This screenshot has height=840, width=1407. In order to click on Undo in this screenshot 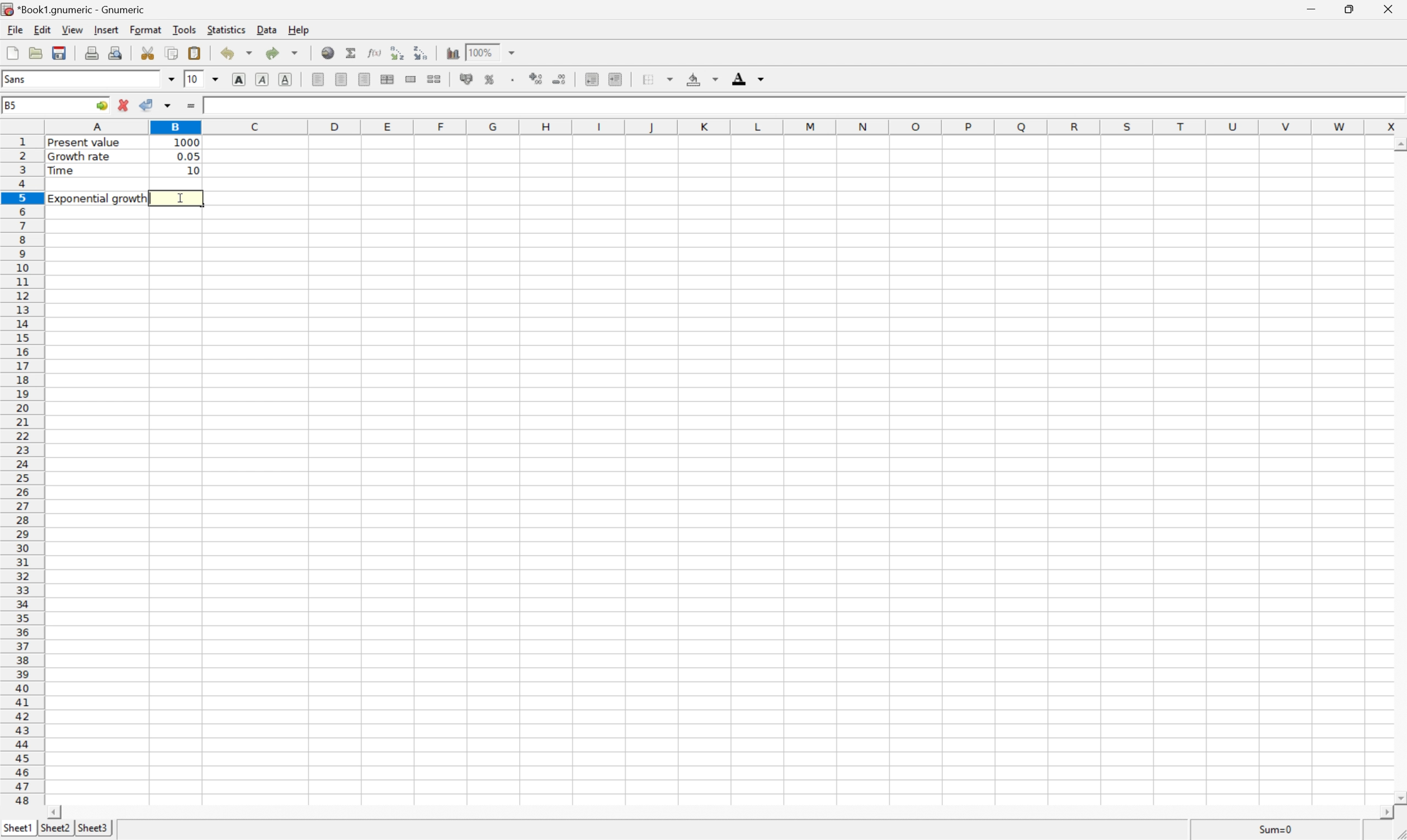, I will do `click(234, 52)`.